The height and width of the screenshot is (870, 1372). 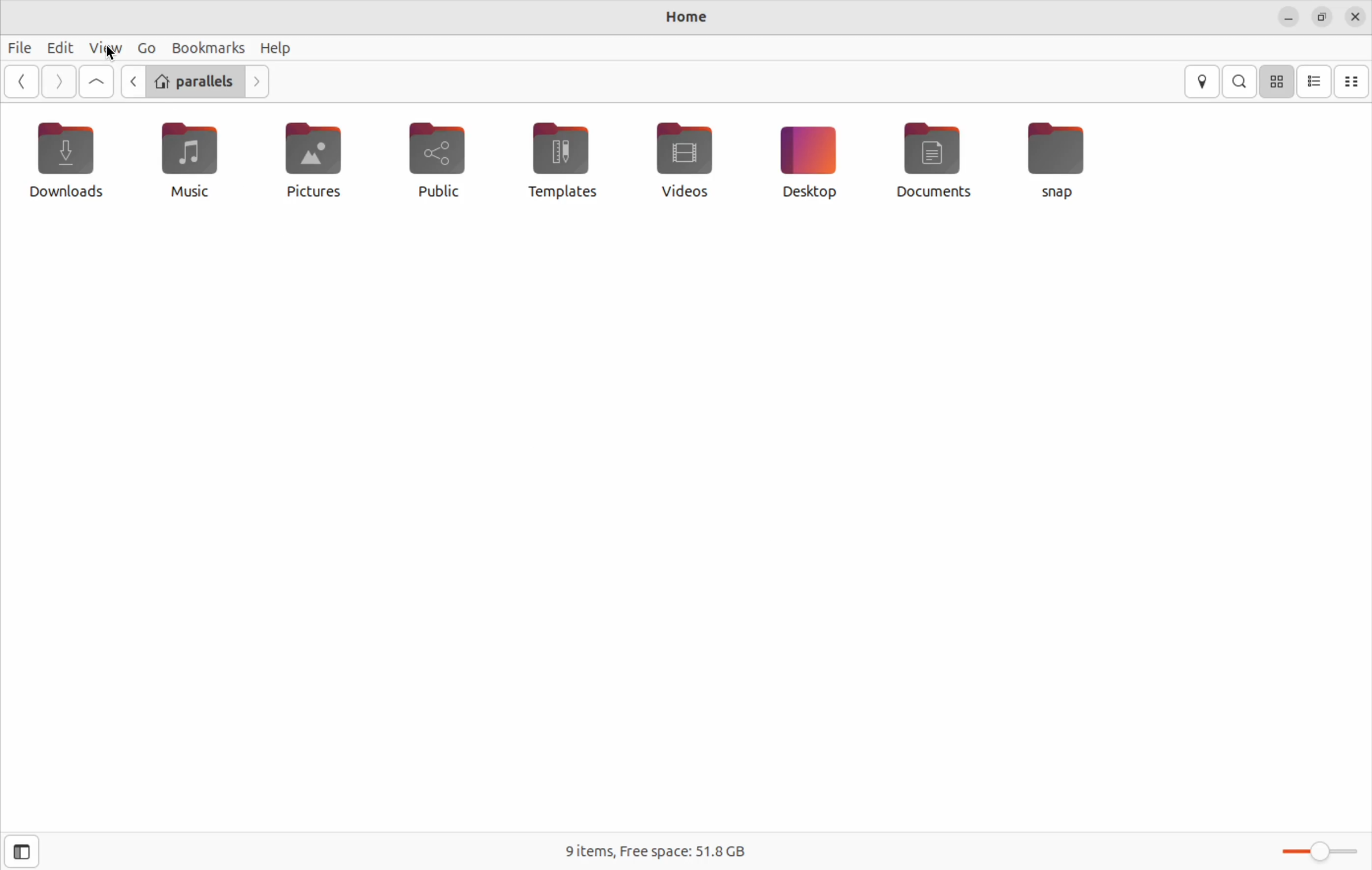 What do you see at coordinates (679, 159) in the screenshot?
I see `videos` at bounding box center [679, 159].